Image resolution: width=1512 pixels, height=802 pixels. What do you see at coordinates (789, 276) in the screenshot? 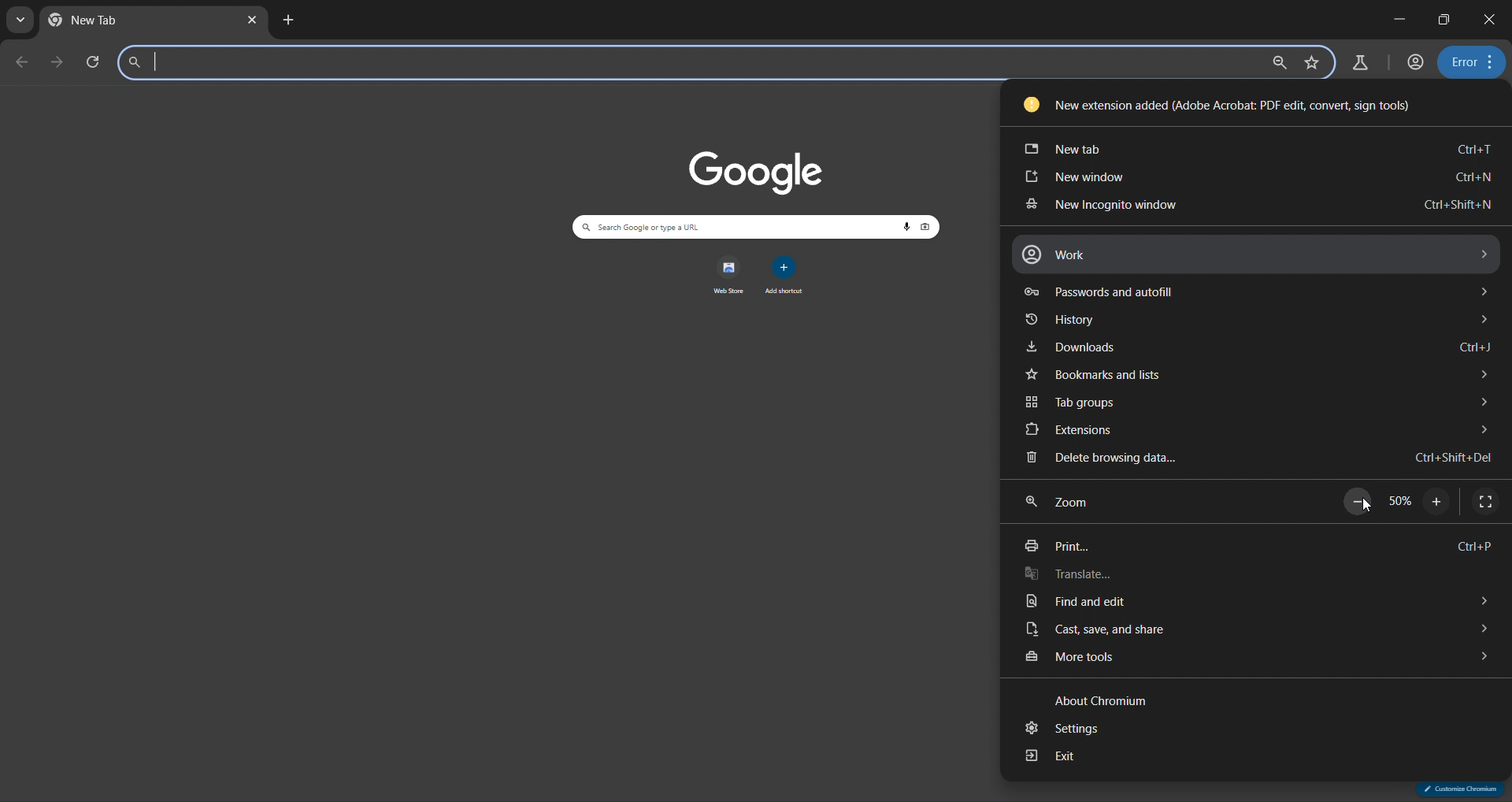
I see `add shortcut` at bounding box center [789, 276].